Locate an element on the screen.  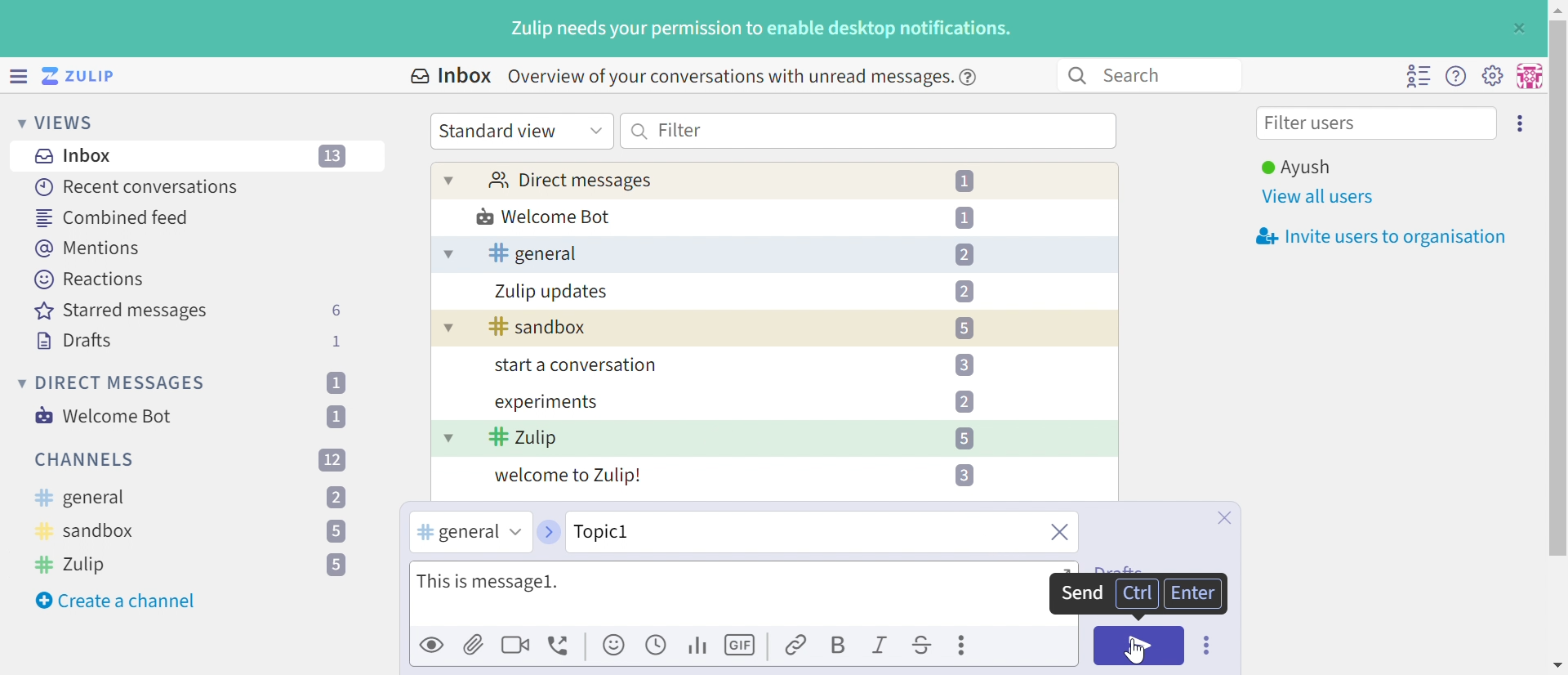
Zulip is located at coordinates (523, 439).